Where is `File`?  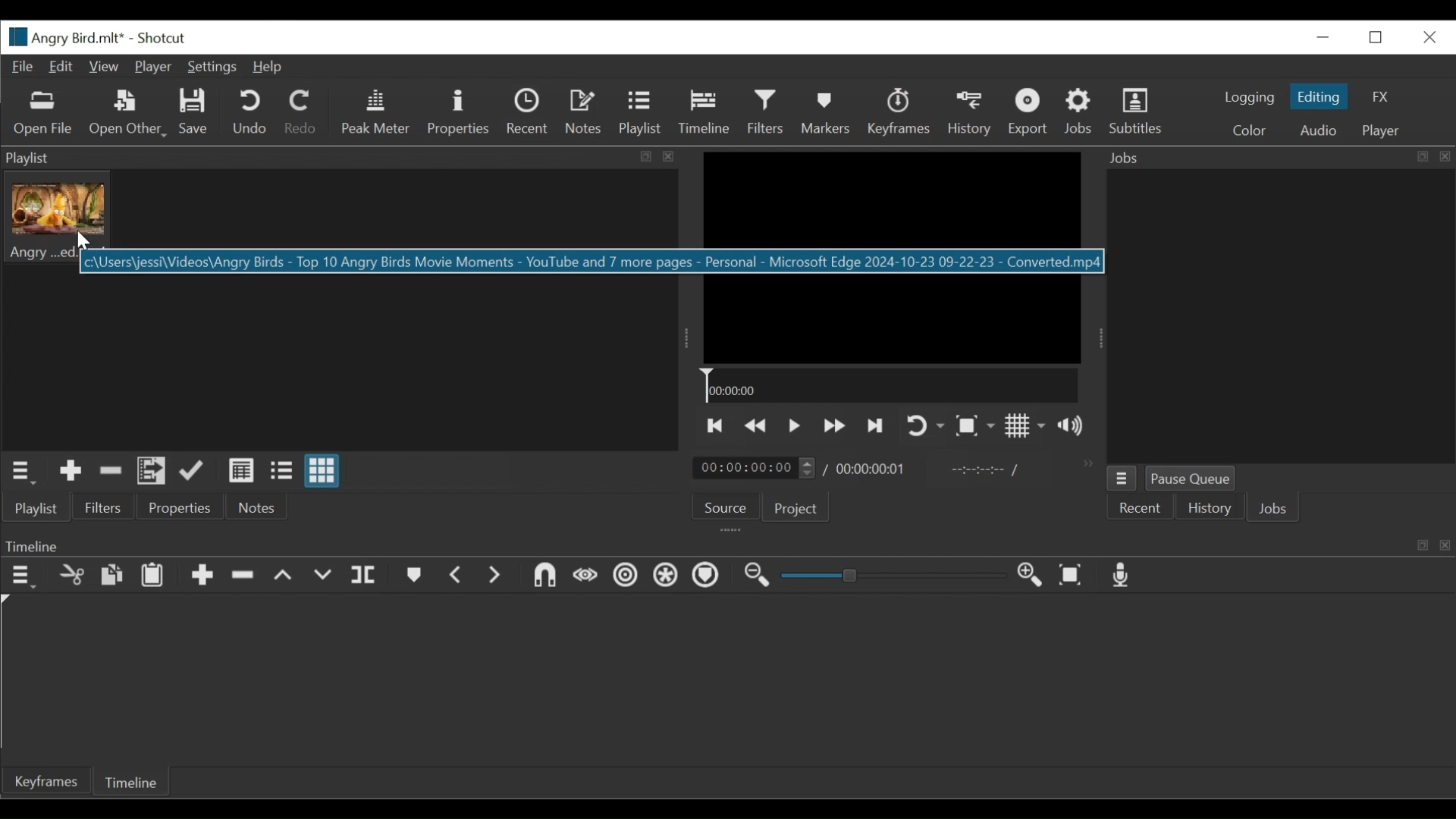 File is located at coordinates (24, 67).